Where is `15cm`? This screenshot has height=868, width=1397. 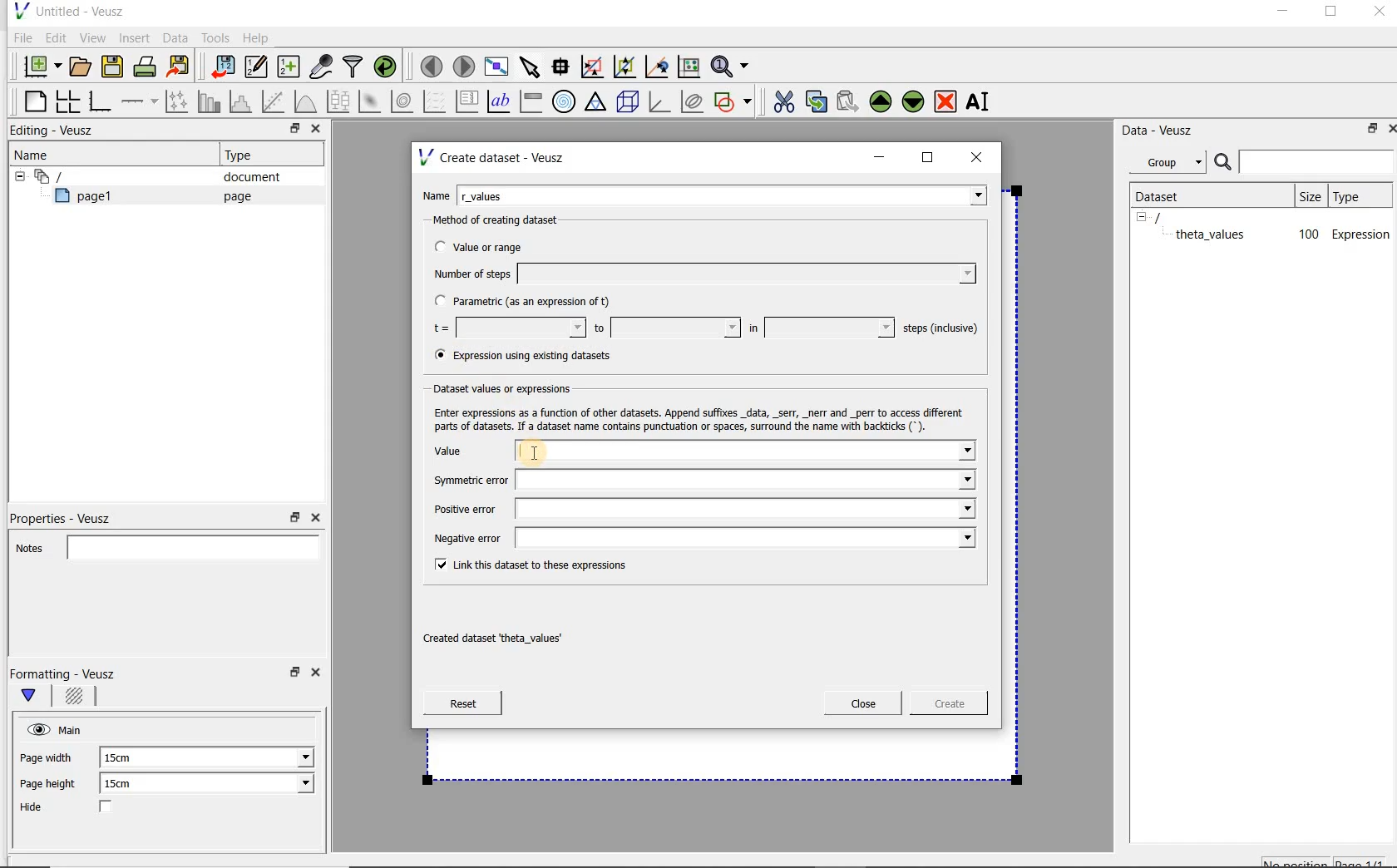
15cm is located at coordinates (126, 758).